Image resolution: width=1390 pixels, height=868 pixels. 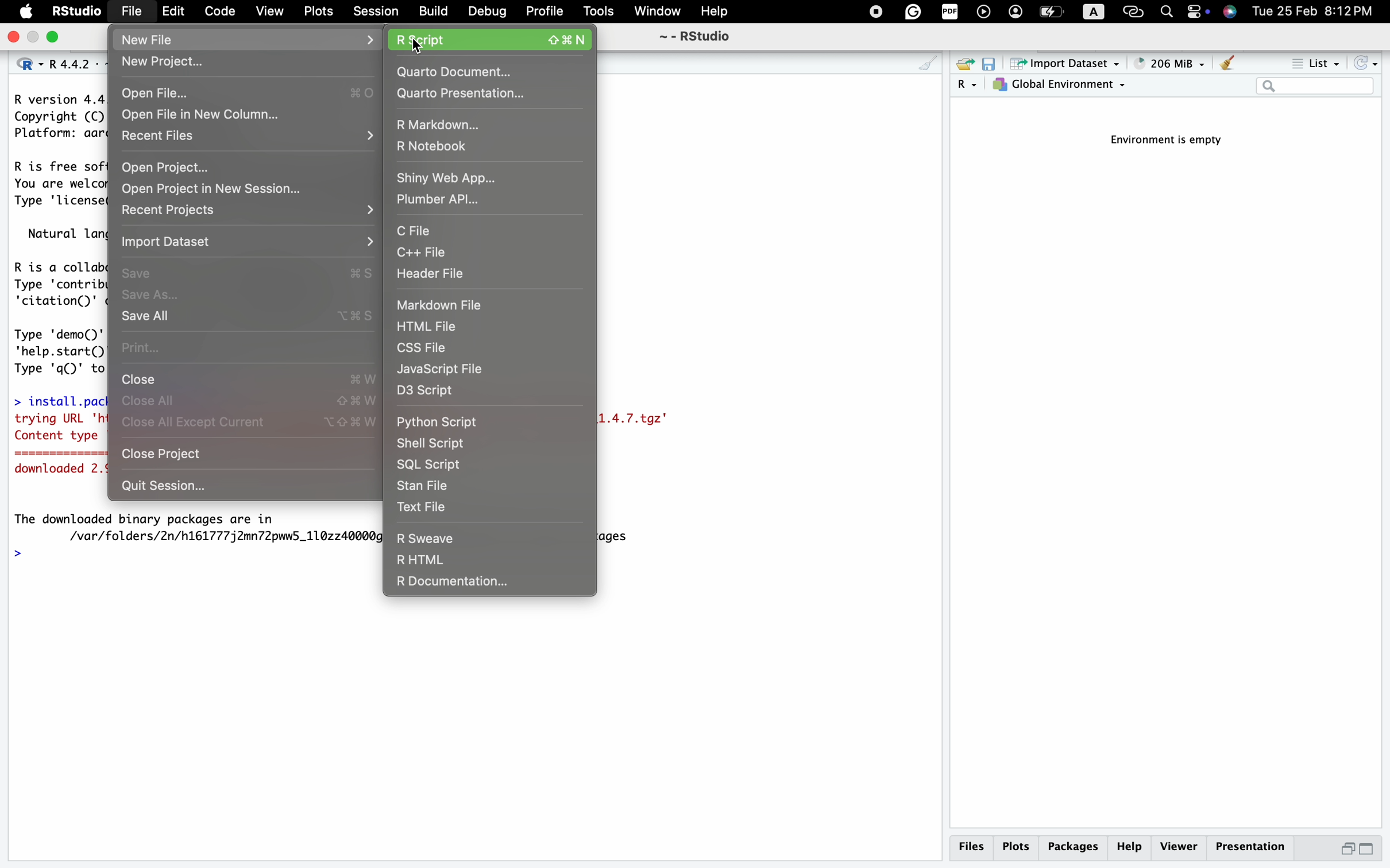 What do you see at coordinates (376, 10) in the screenshot?
I see `session` at bounding box center [376, 10].